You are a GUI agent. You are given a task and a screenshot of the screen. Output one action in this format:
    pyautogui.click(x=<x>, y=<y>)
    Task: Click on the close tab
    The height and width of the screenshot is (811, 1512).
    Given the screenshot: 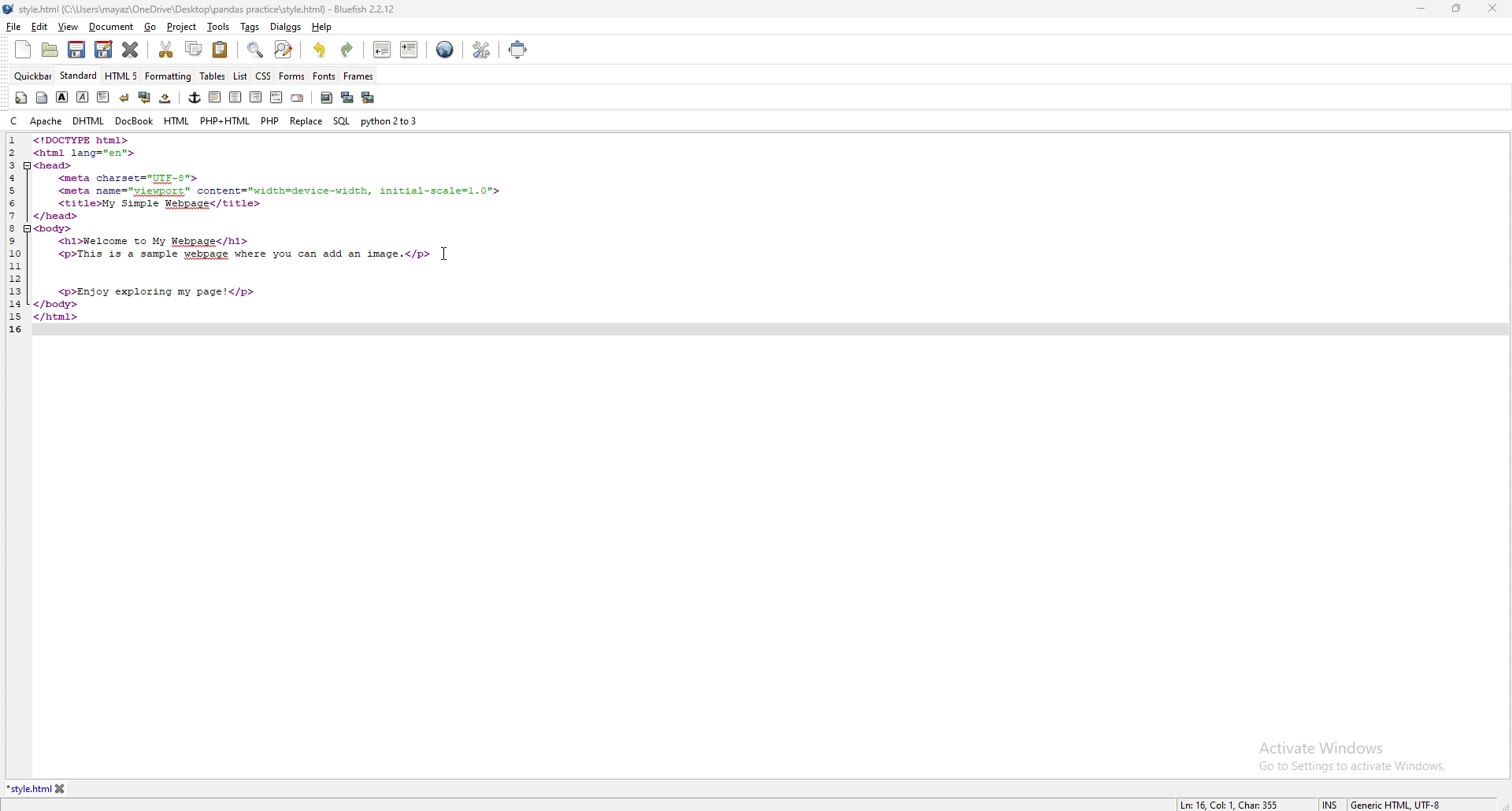 What is the action you would take?
    pyautogui.click(x=63, y=788)
    